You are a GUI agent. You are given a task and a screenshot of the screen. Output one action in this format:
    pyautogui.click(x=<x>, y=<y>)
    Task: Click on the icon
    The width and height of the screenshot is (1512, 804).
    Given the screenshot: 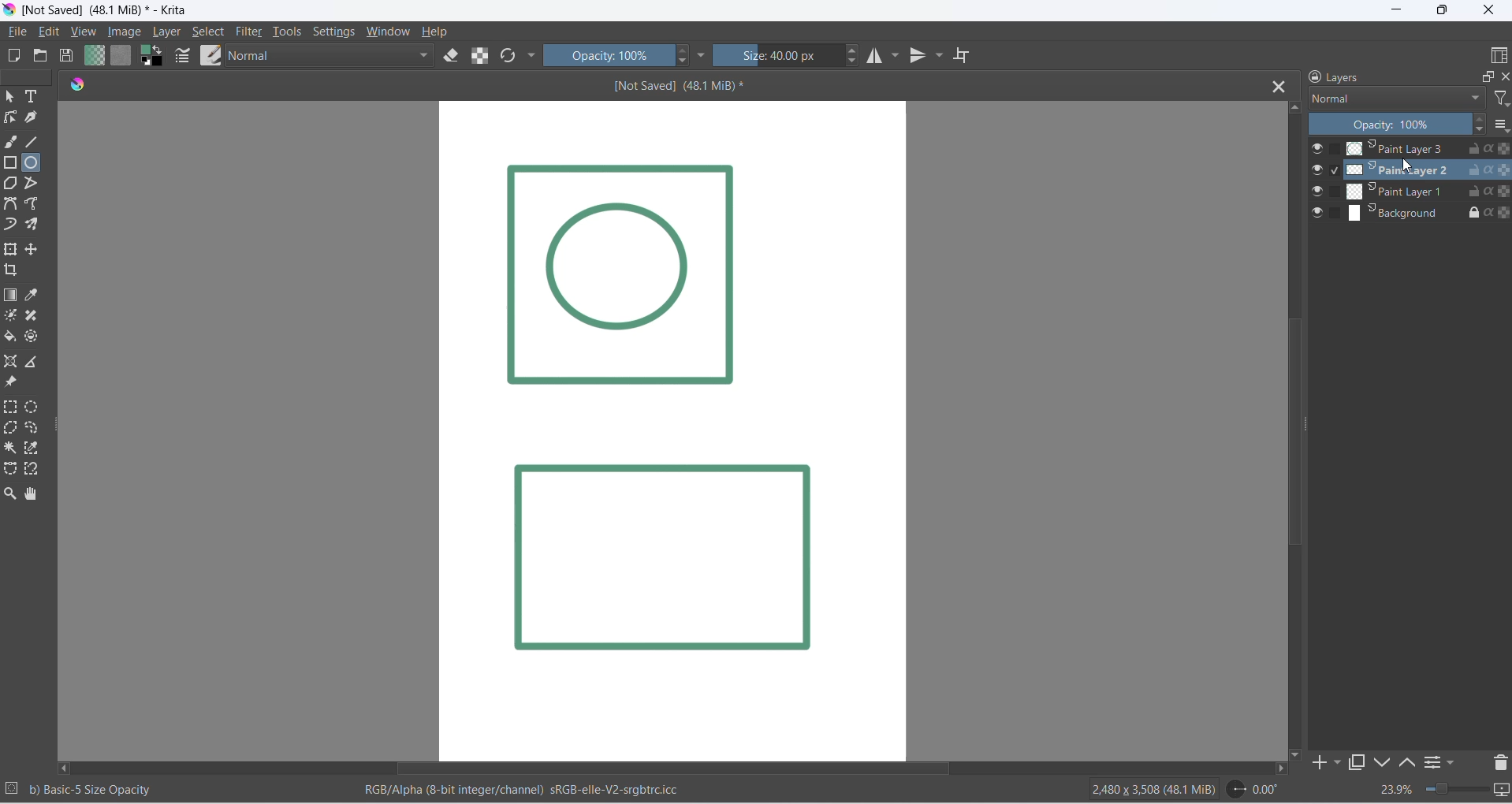 What is the action you would take?
    pyautogui.click(x=72, y=87)
    